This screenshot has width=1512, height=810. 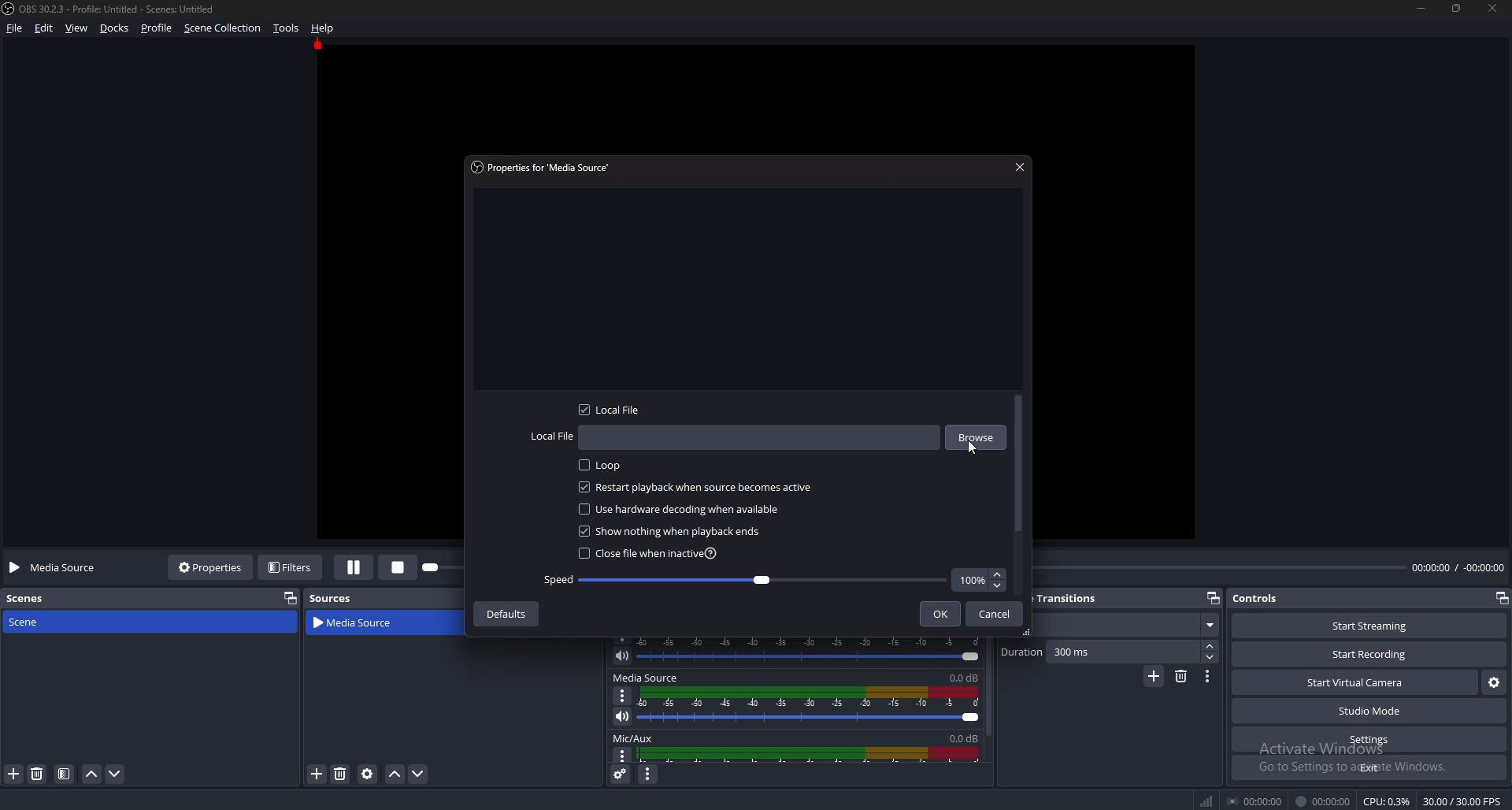 What do you see at coordinates (1458, 567) in the screenshot?
I see `00:00:00 / -00:00:00` at bounding box center [1458, 567].